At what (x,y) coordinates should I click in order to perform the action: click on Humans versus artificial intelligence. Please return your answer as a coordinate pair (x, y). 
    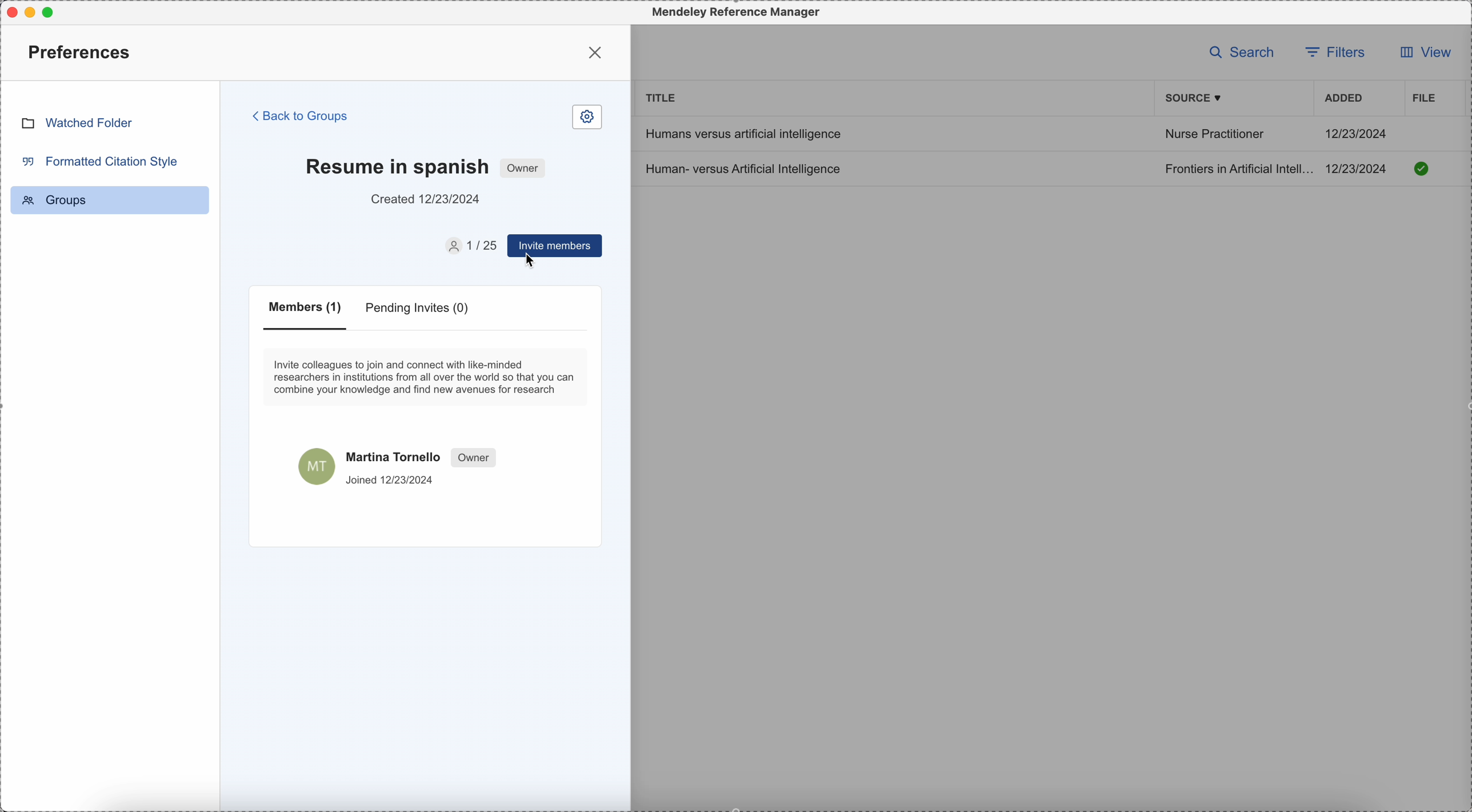
    Looking at the image, I should click on (742, 133).